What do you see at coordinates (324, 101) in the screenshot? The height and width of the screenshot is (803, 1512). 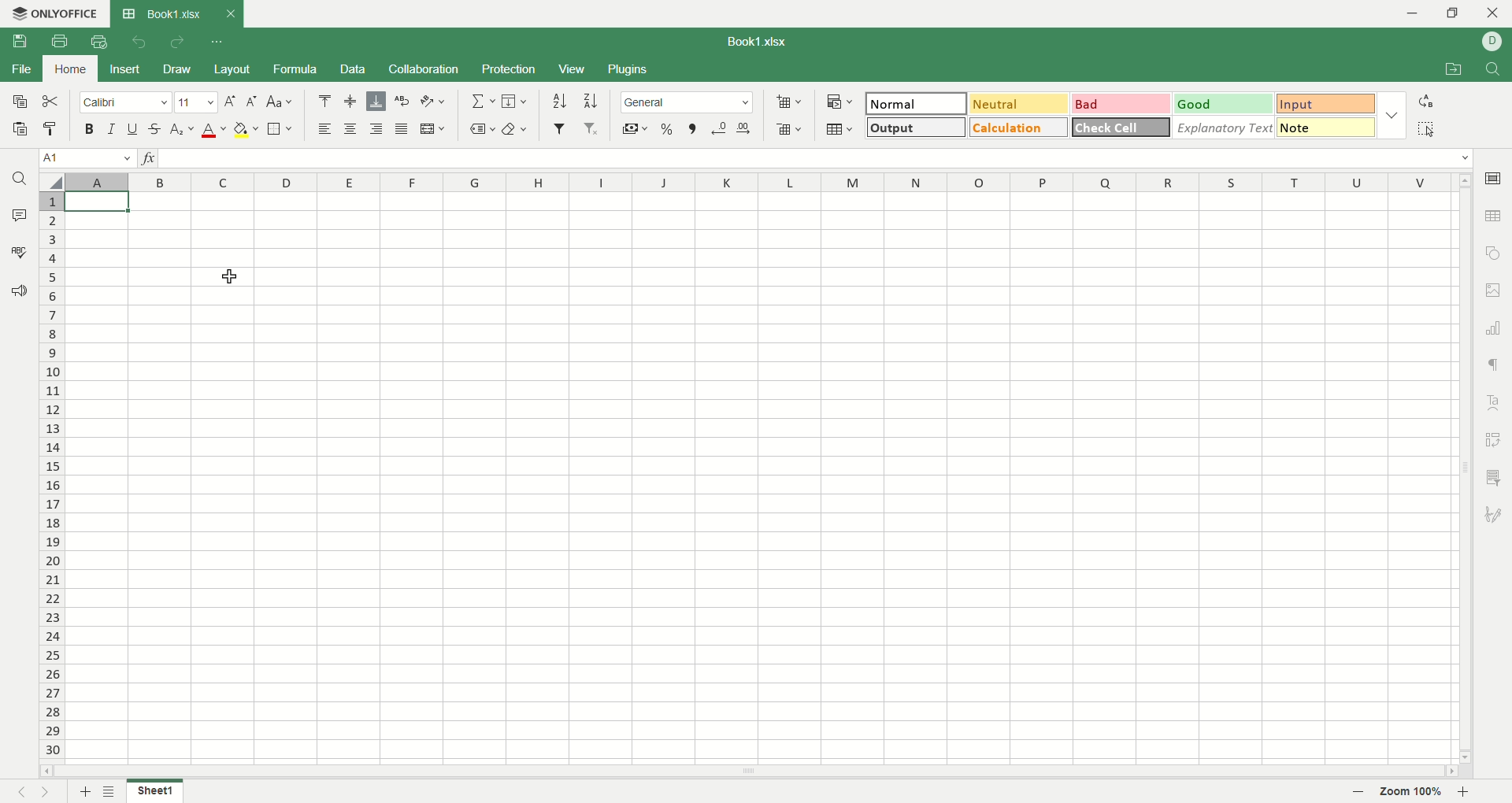 I see `align top` at bounding box center [324, 101].